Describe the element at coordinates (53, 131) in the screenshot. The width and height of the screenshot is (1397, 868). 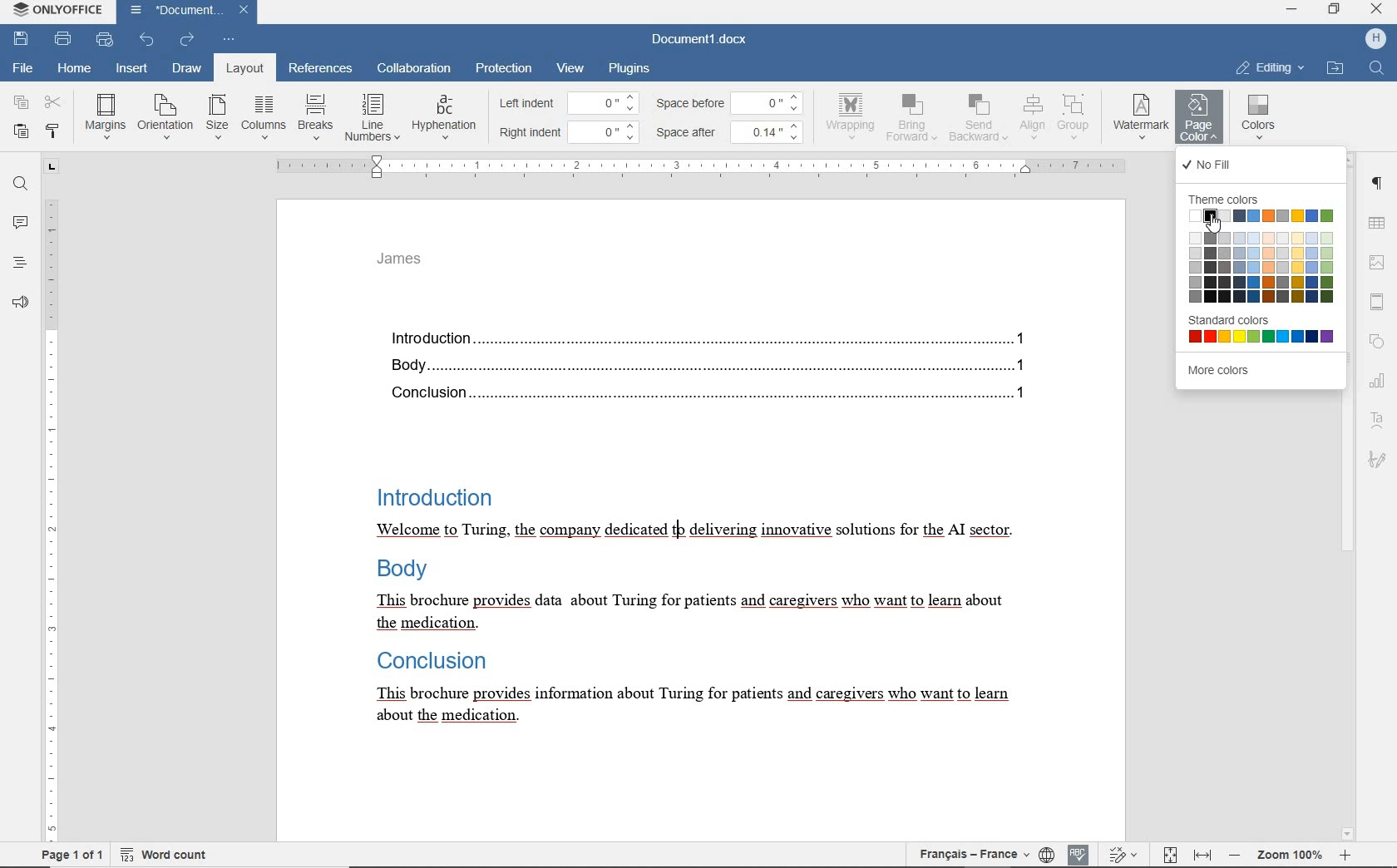
I see `copy style` at that location.